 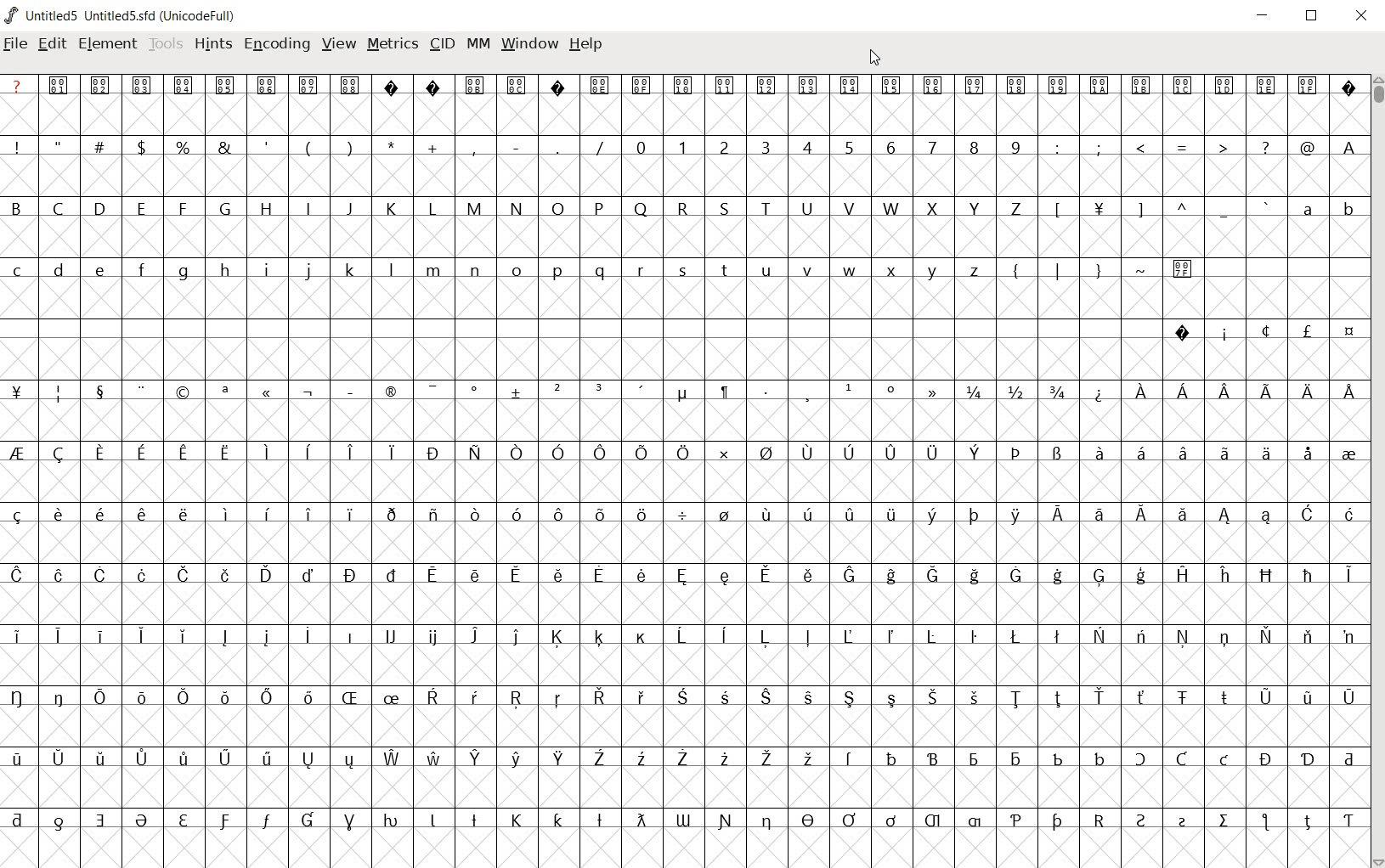 I want to click on Symbol, so click(x=765, y=576).